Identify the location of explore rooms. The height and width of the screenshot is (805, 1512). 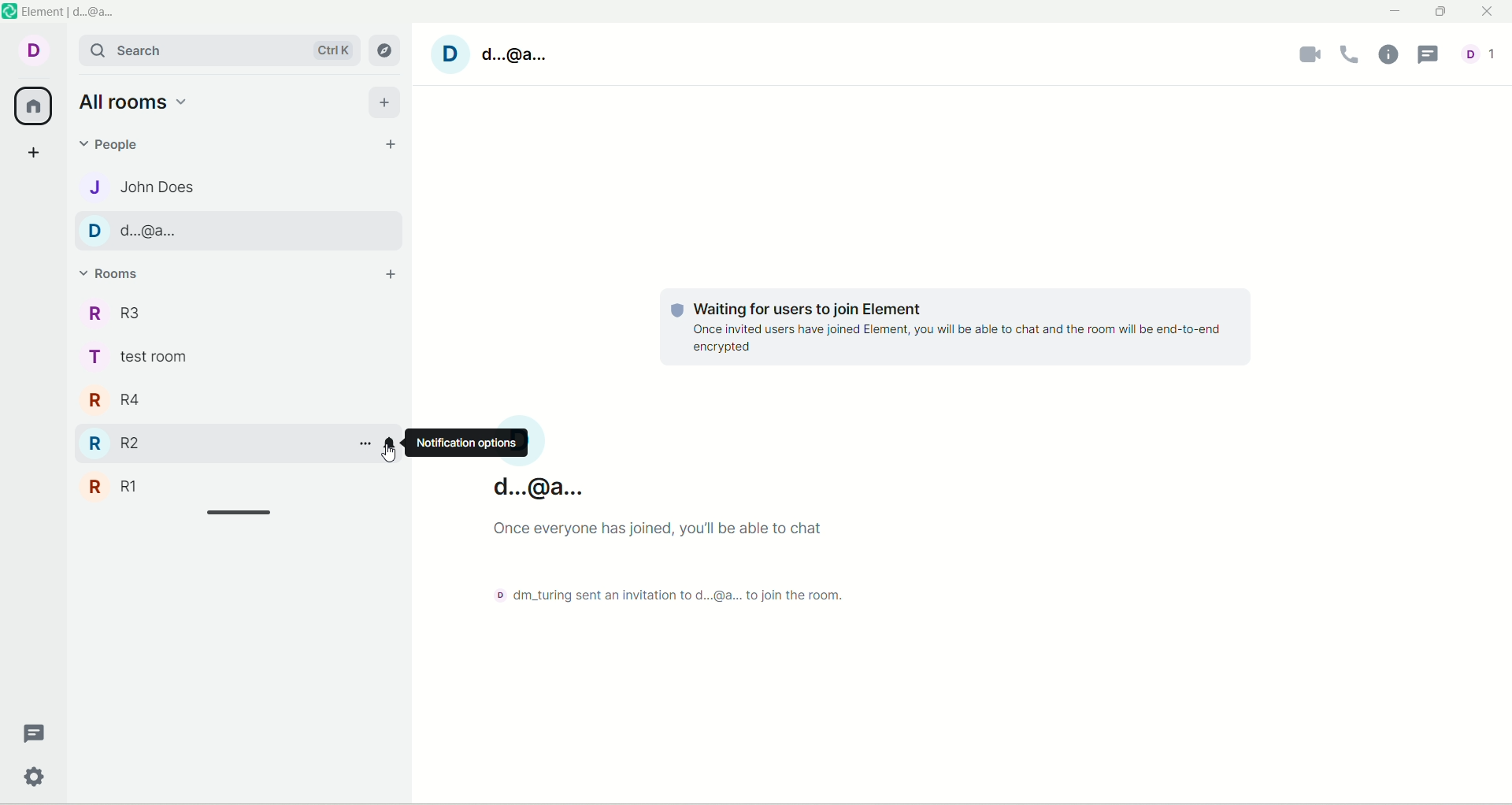
(386, 46).